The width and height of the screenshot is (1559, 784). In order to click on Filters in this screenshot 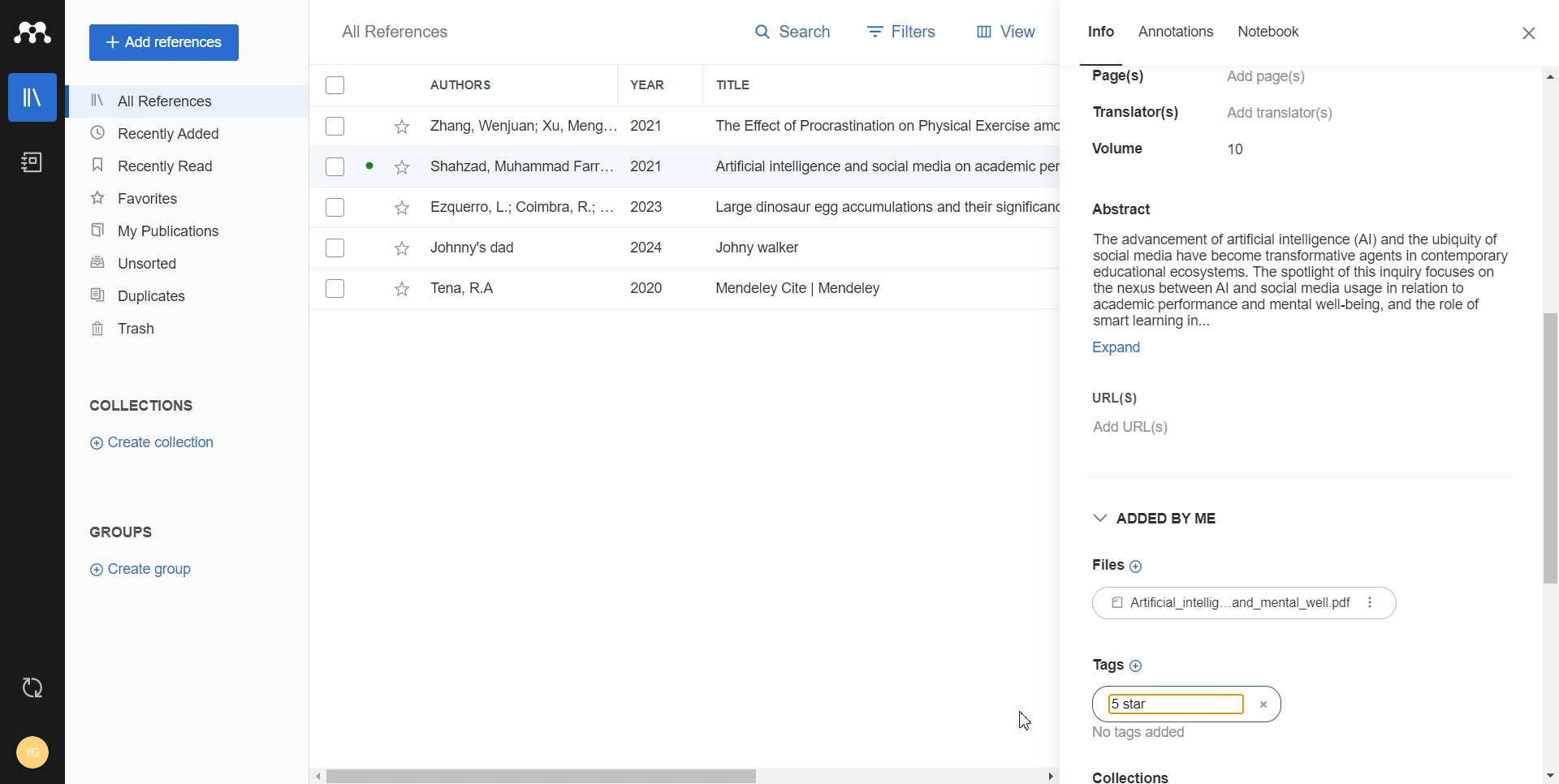, I will do `click(896, 33)`.